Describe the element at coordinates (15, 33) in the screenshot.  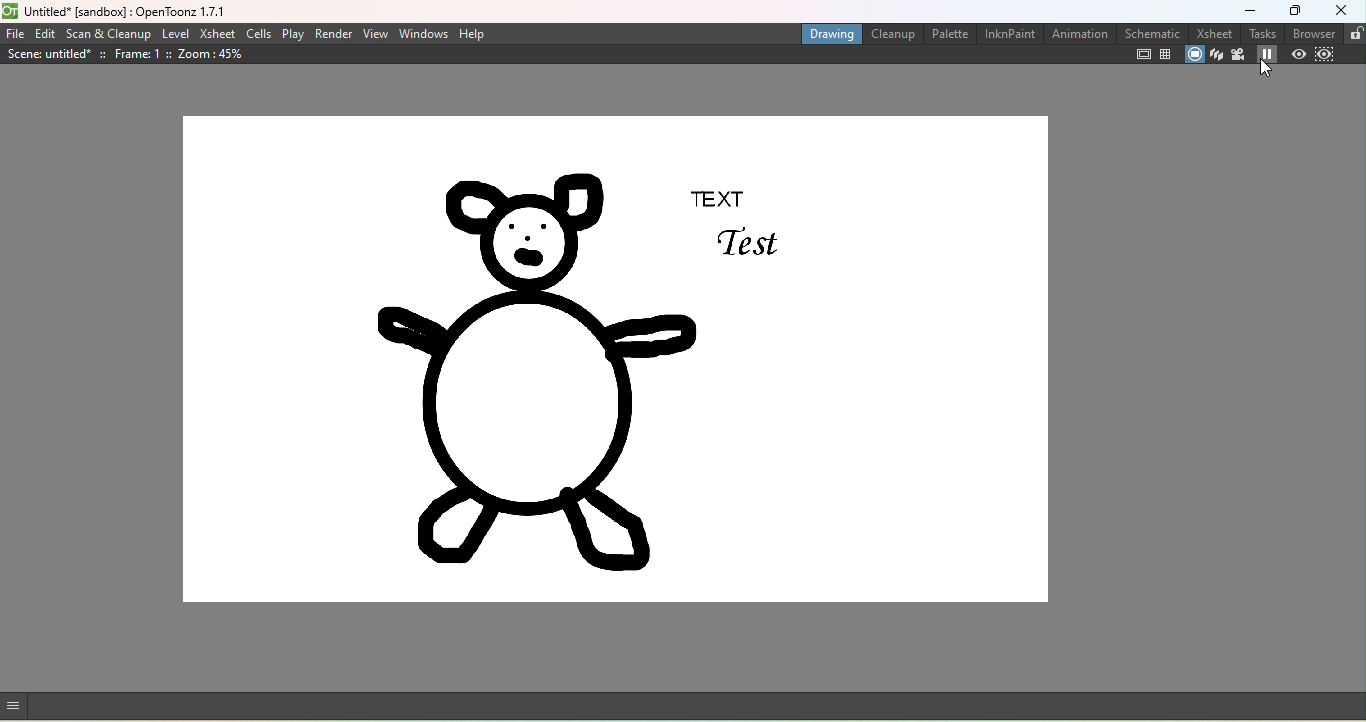
I see `File` at that location.